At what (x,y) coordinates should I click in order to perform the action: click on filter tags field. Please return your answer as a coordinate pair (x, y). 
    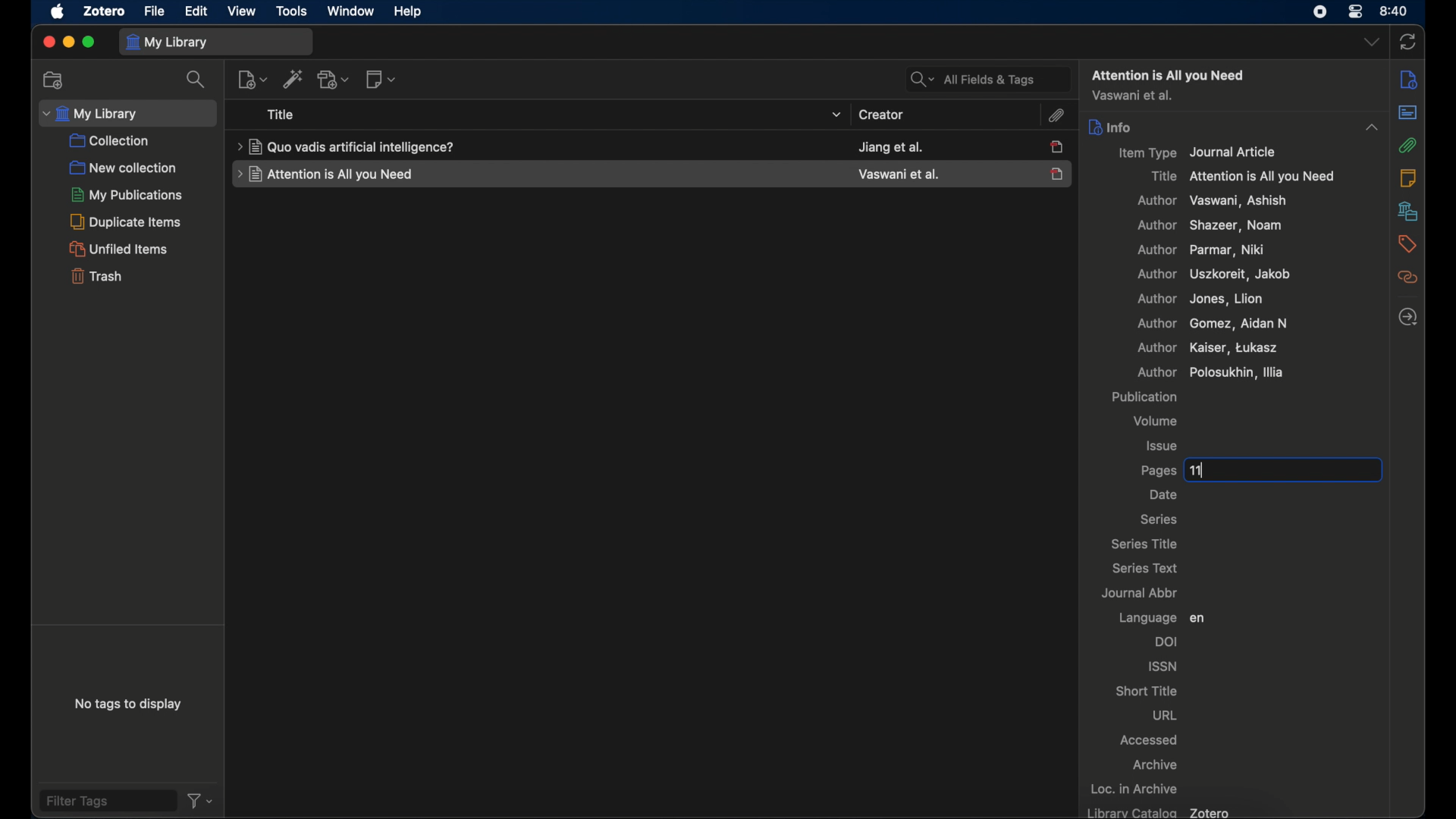
    Looking at the image, I should click on (107, 801).